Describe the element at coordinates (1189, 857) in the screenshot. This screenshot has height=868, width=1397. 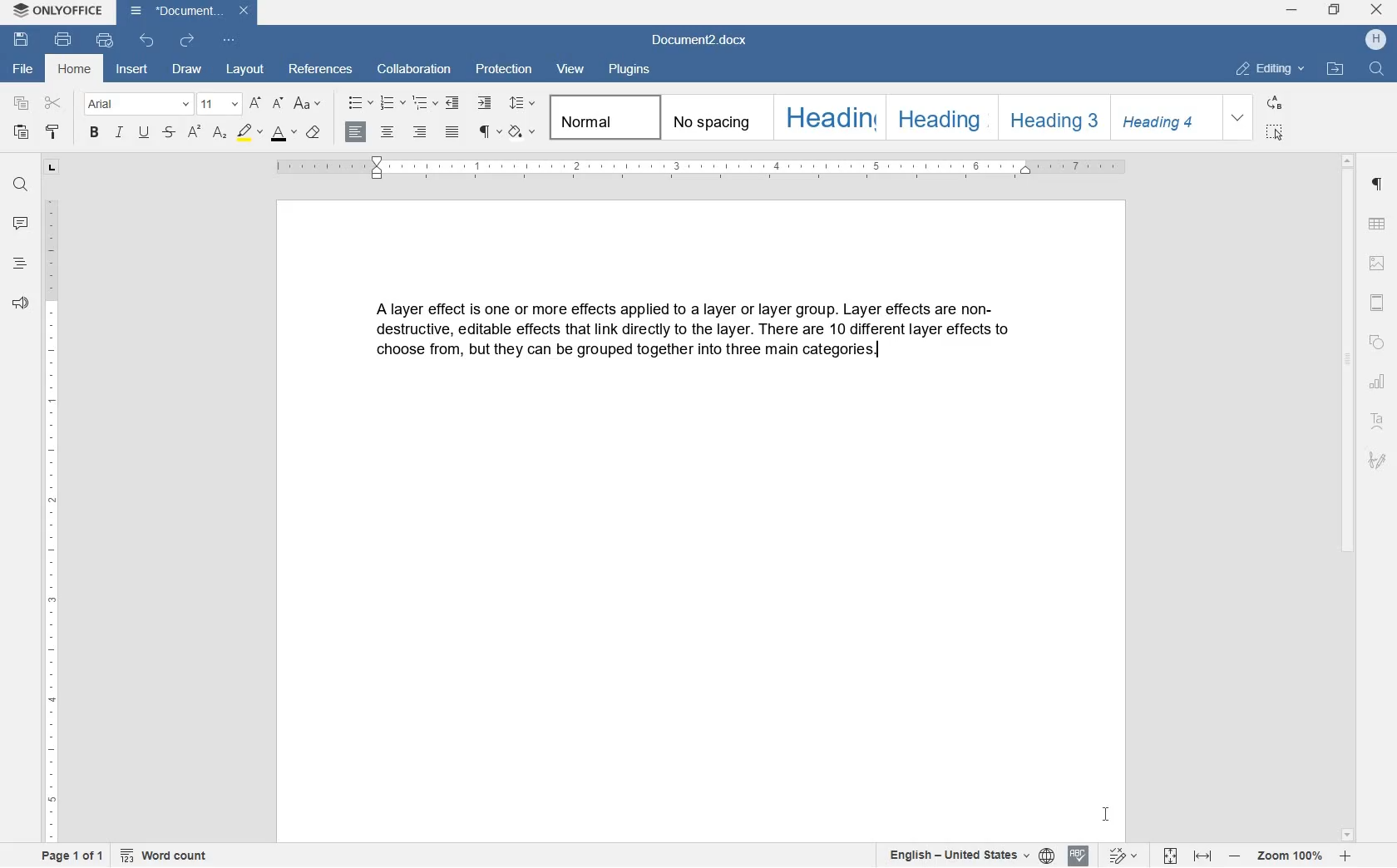
I see `FIT TO PAGE OR WIDTH` at that location.